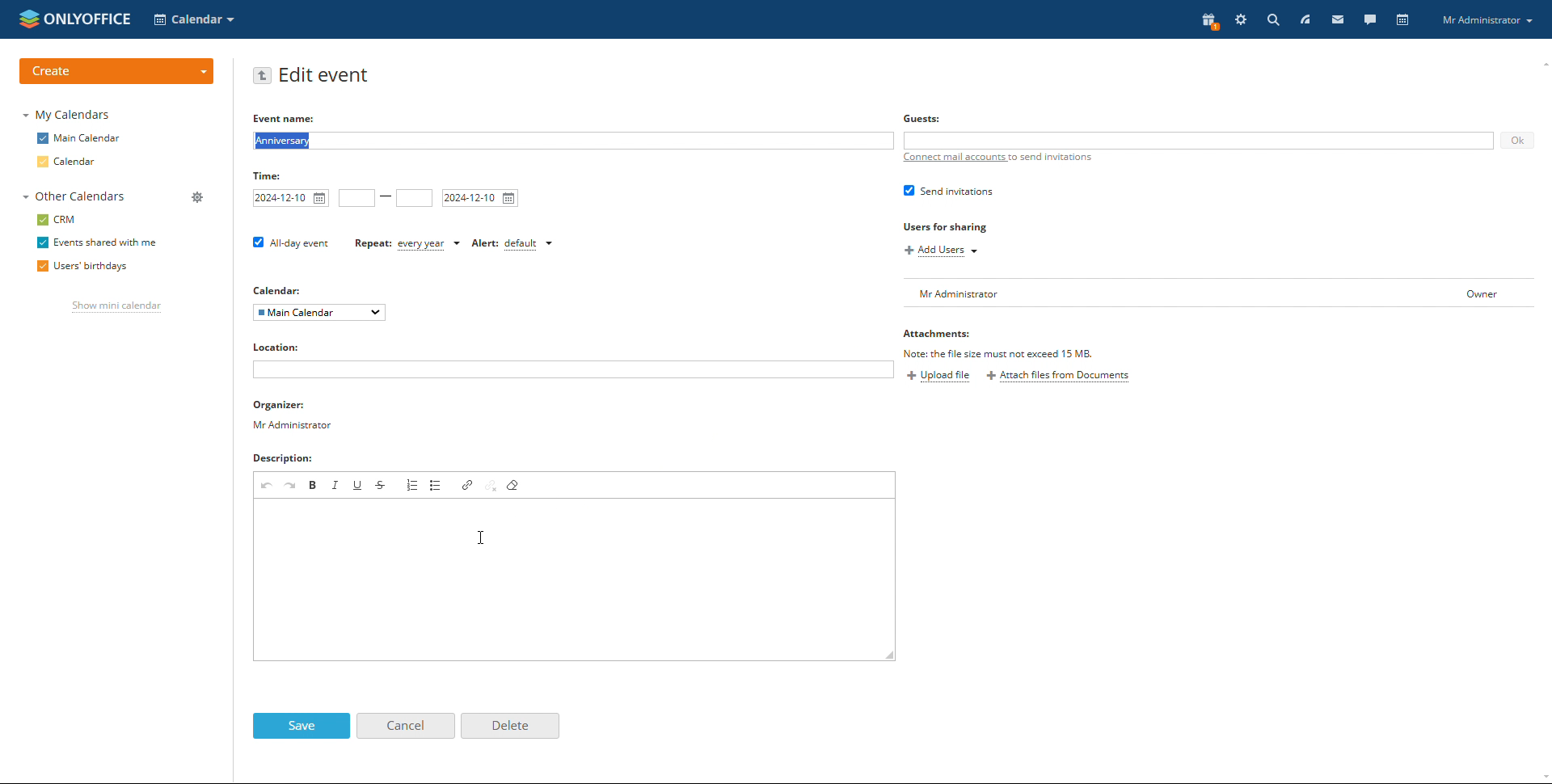 The width and height of the screenshot is (1552, 784). Describe the element at coordinates (1338, 19) in the screenshot. I see `mail` at that location.